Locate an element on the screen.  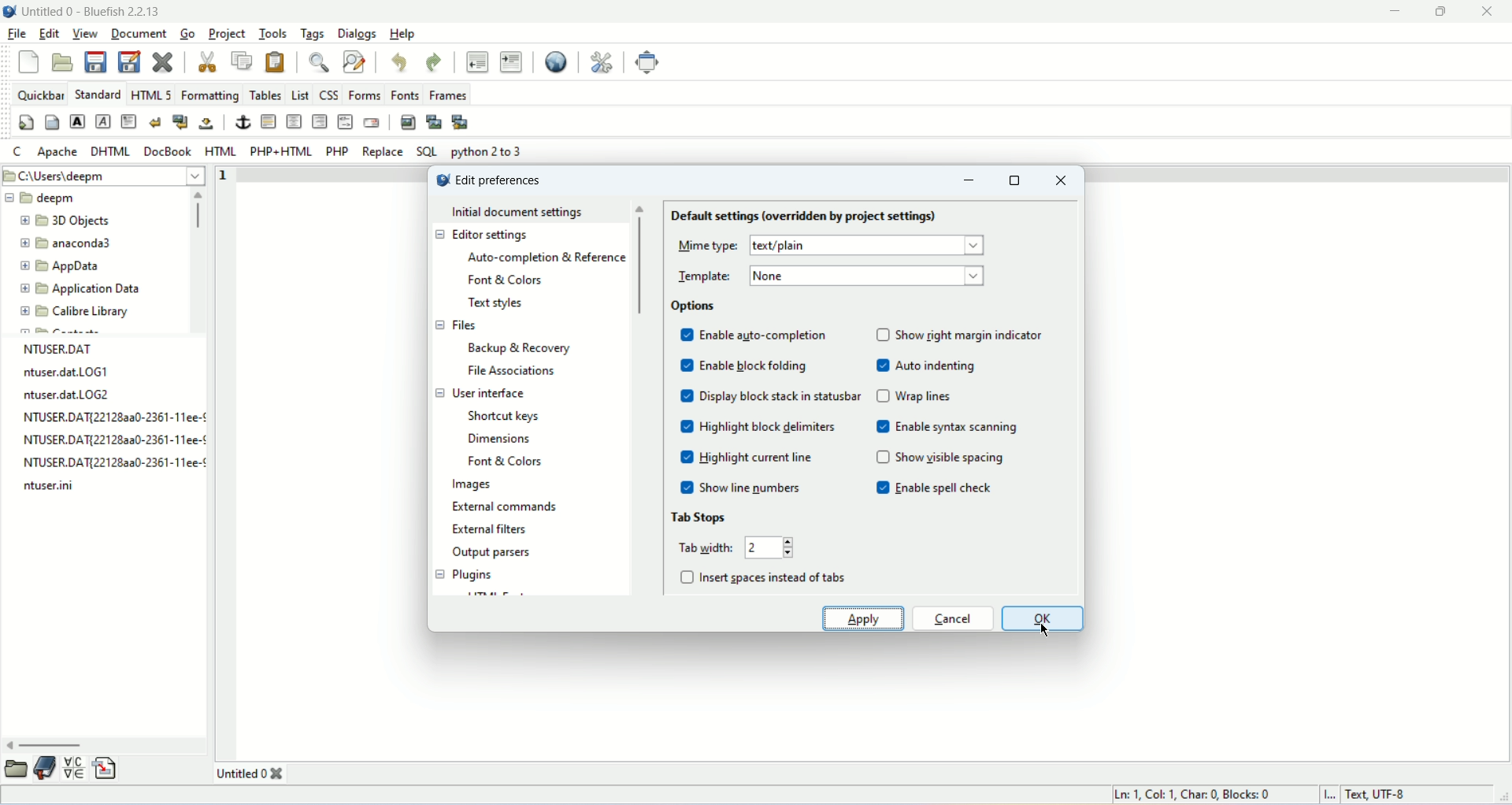
template is located at coordinates (702, 276).